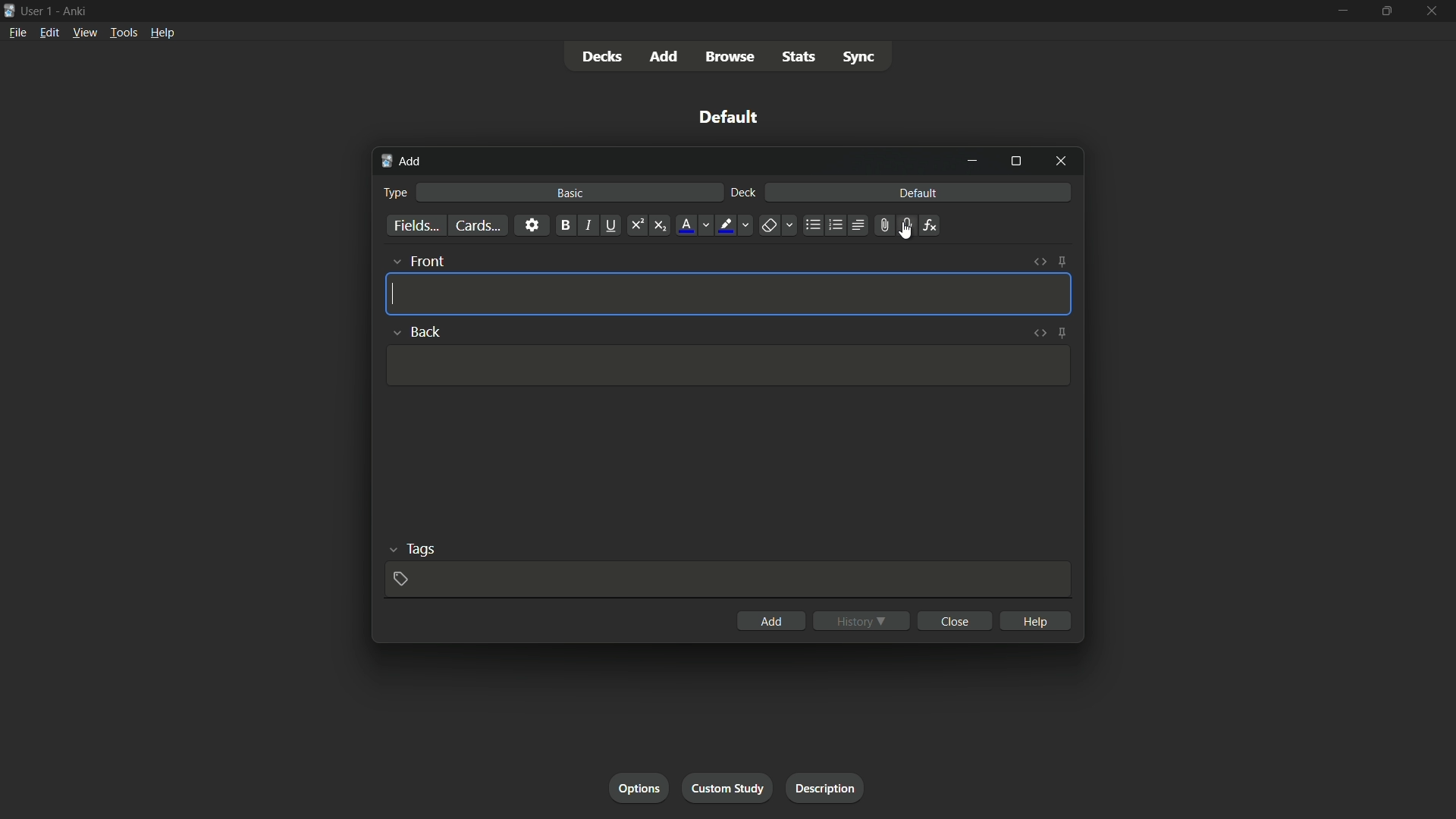  What do you see at coordinates (733, 57) in the screenshot?
I see `browse` at bounding box center [733, 57].